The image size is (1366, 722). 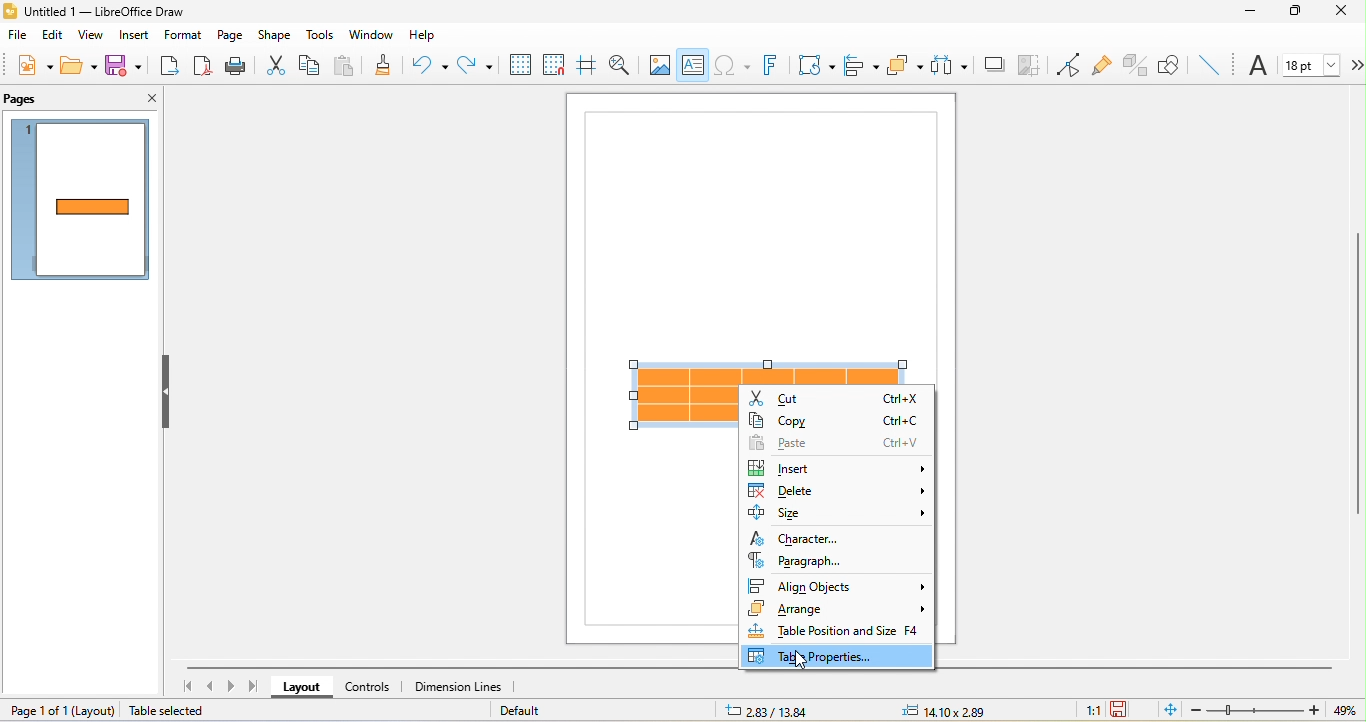 What do you see at coordinates (1104, 65) in the screenshot?
I see `gluepoint function` at bounding box center [1104, 65].